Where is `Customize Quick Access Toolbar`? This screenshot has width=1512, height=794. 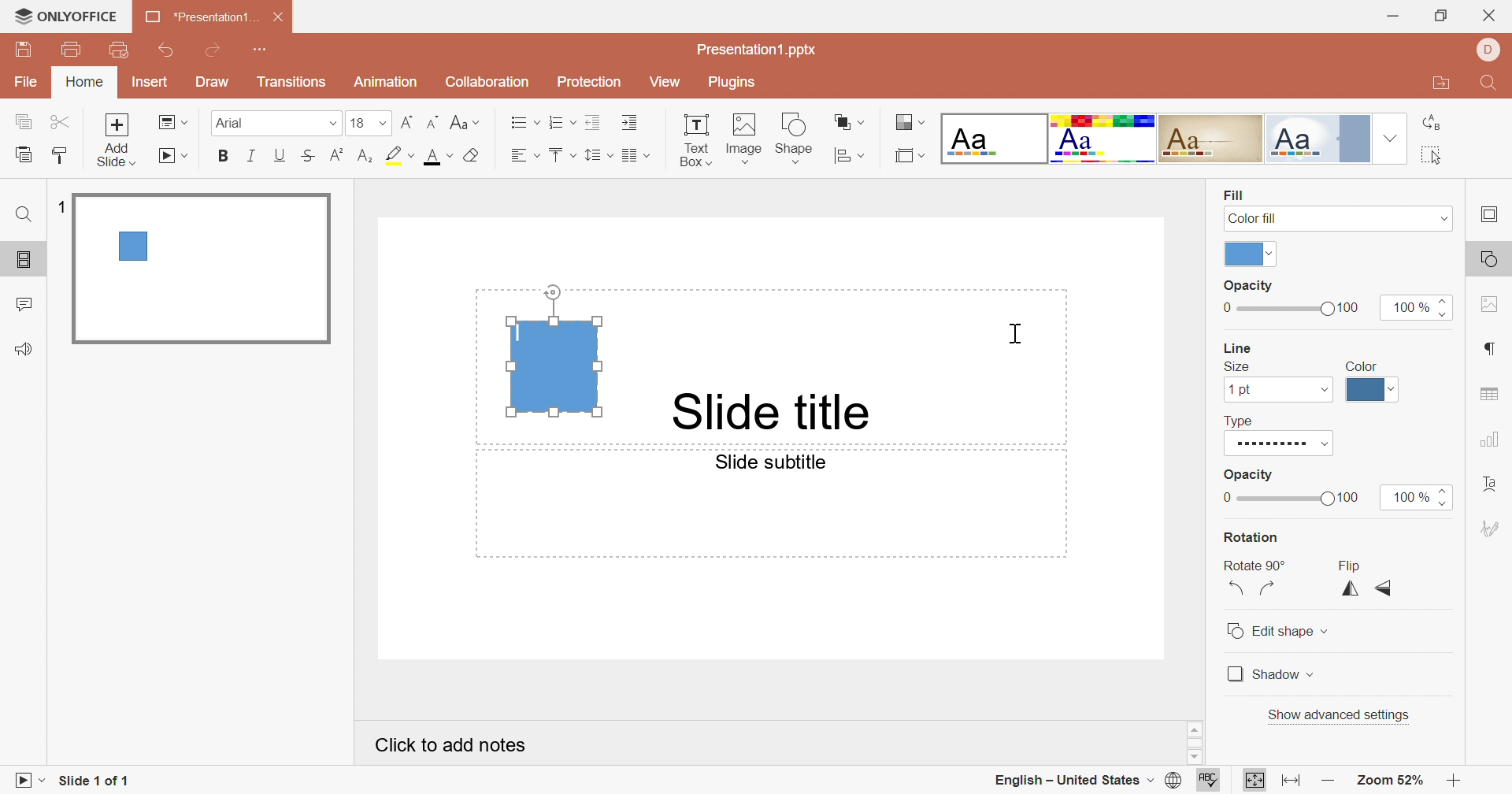 Customize Quick Access Toolbar is located at coordinates (267, 51).